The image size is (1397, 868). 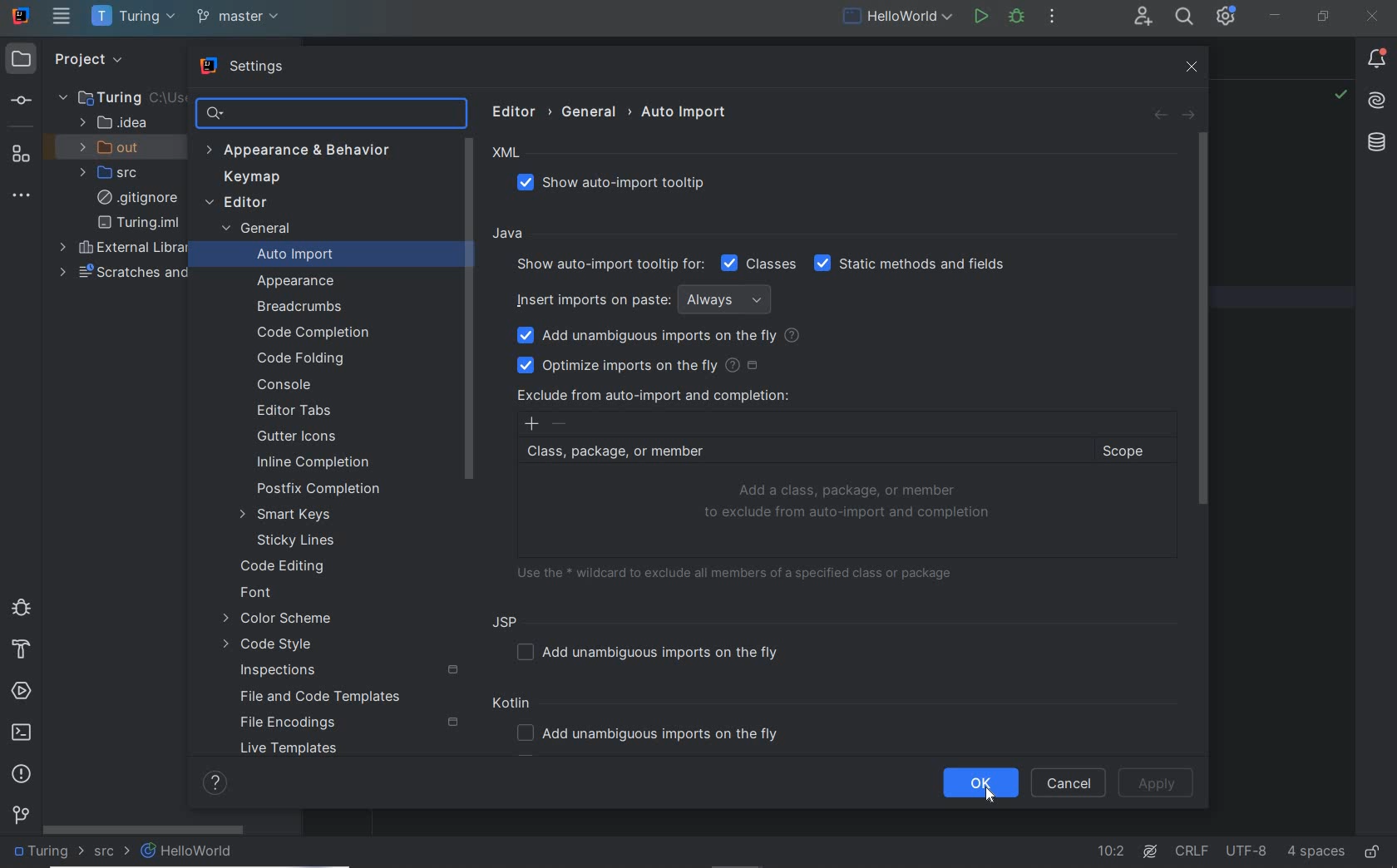 I want to click on RESTORE DOWN, so click(x=1324, y=18).